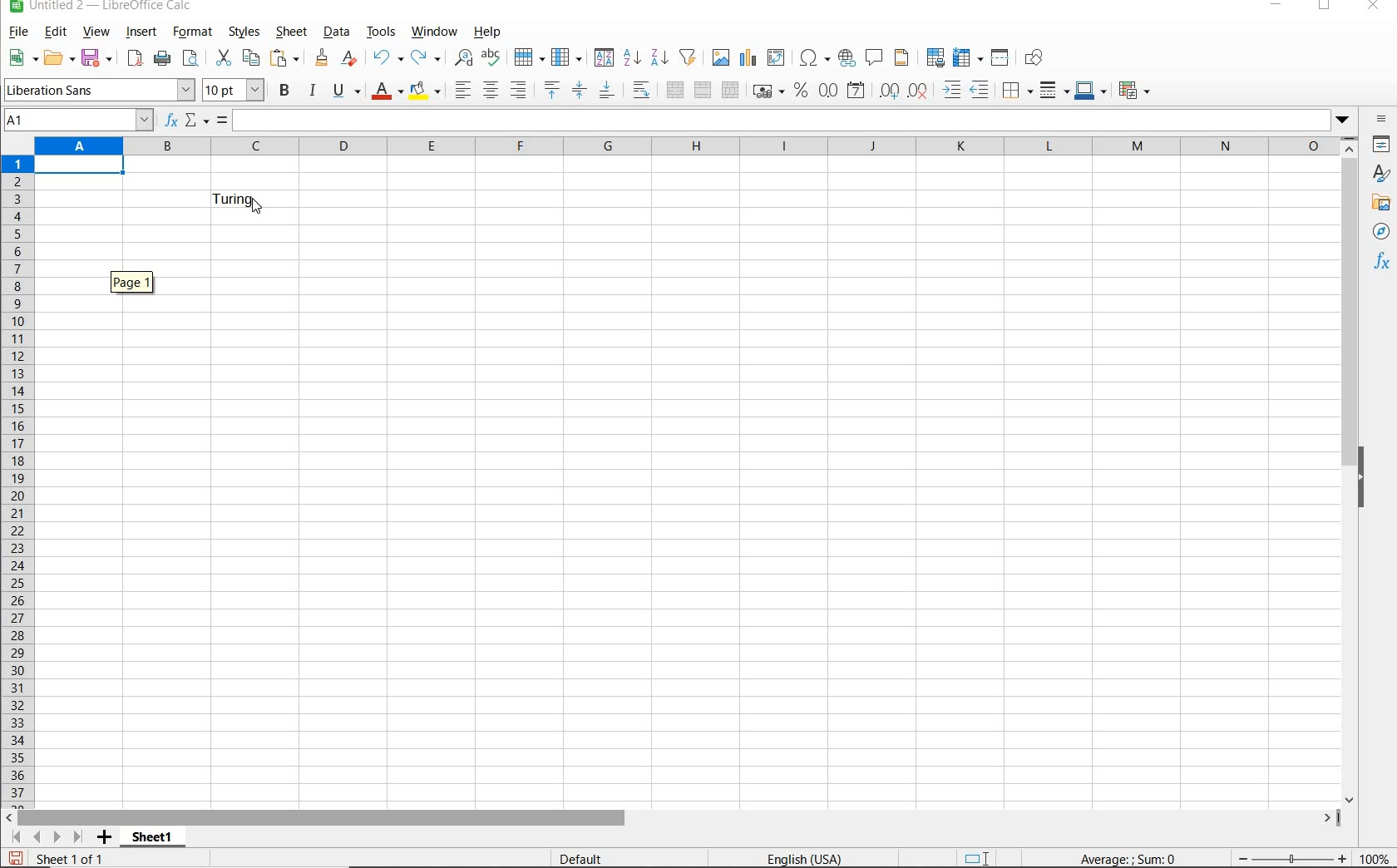 This screenshot has width=1397, height=868. I want to click on SELECT FUNCTION, so click(197, 122).